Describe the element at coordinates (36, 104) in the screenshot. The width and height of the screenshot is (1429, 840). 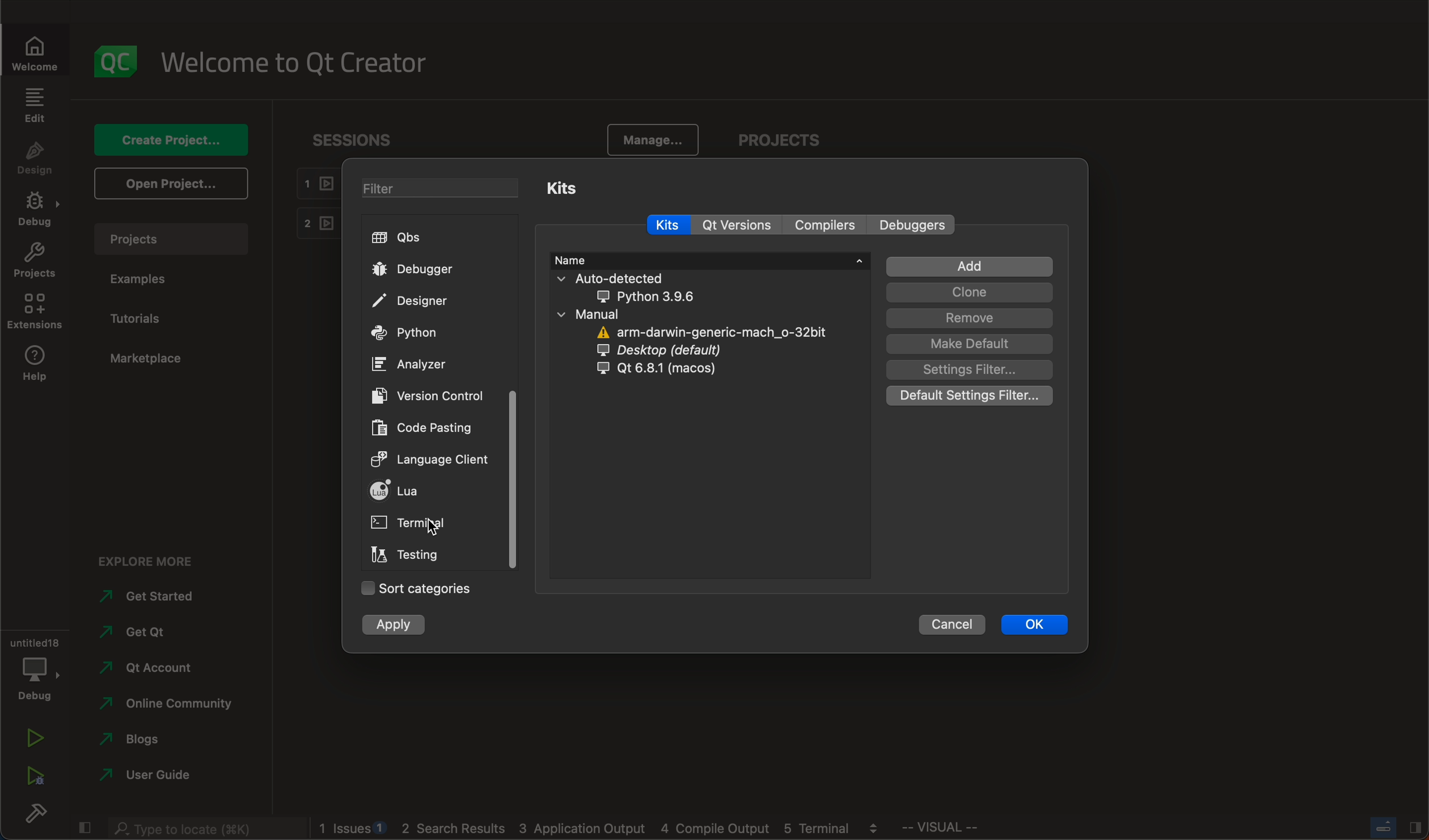
I see `edit` at that location.